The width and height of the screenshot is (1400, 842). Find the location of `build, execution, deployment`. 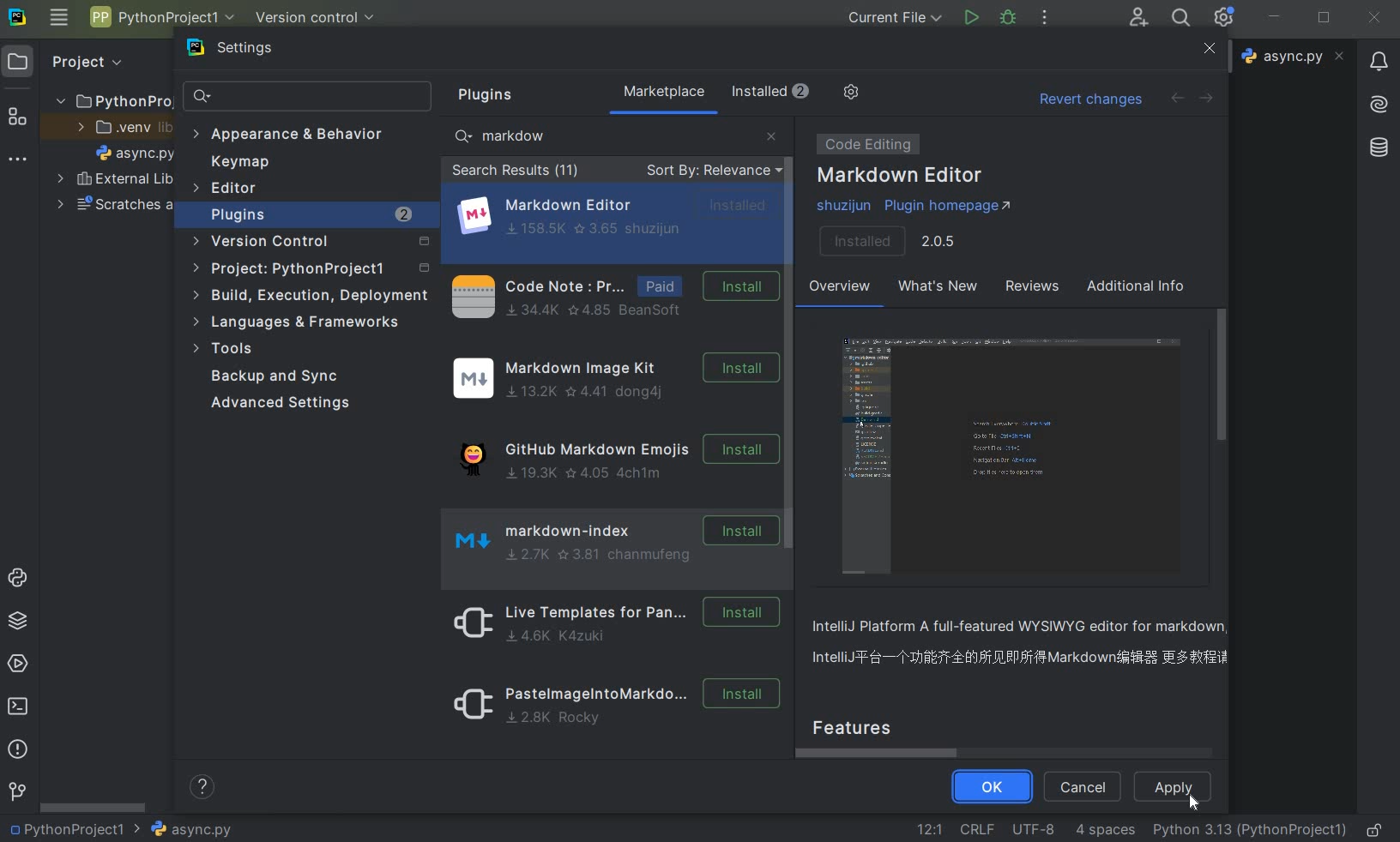

build, execution, deployment is located at coordinates (311, 297).